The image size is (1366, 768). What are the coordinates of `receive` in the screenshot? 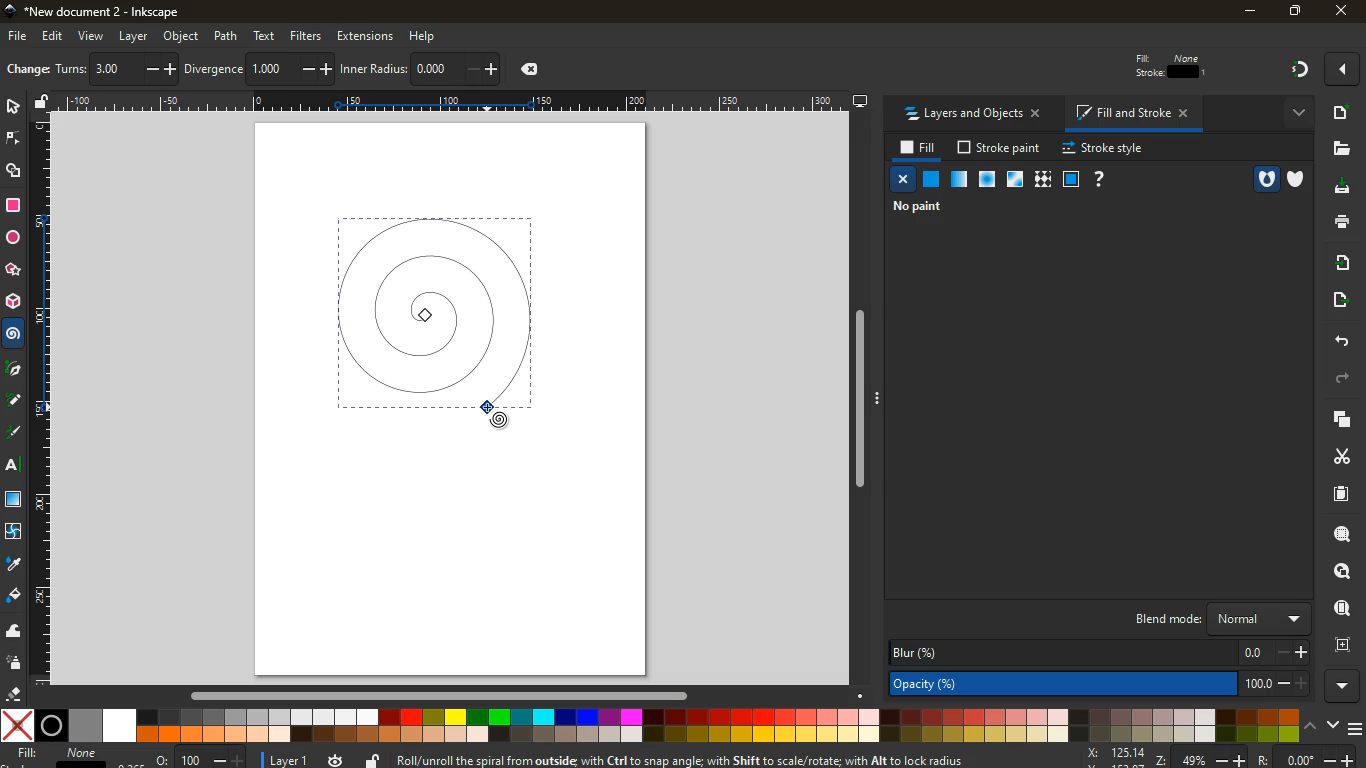 It's located at (1340, 264).